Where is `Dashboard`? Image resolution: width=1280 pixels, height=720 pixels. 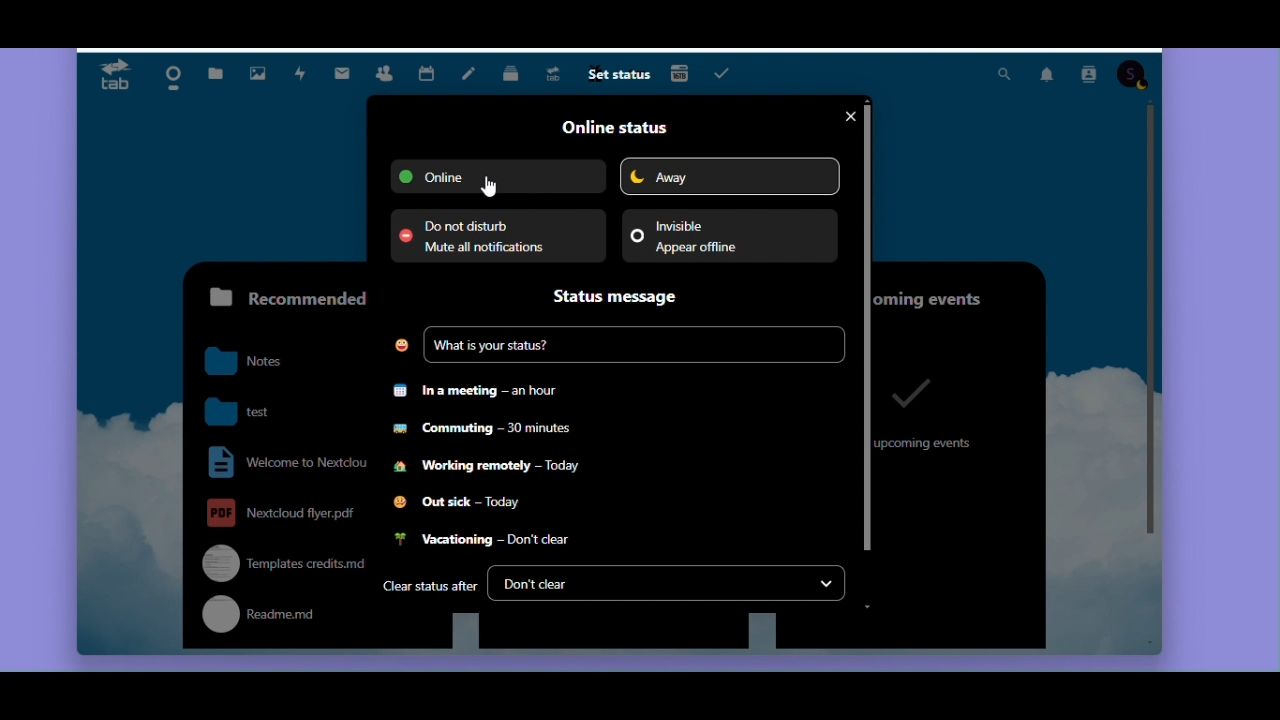
Dashboard is located at coordinates (167, 73).